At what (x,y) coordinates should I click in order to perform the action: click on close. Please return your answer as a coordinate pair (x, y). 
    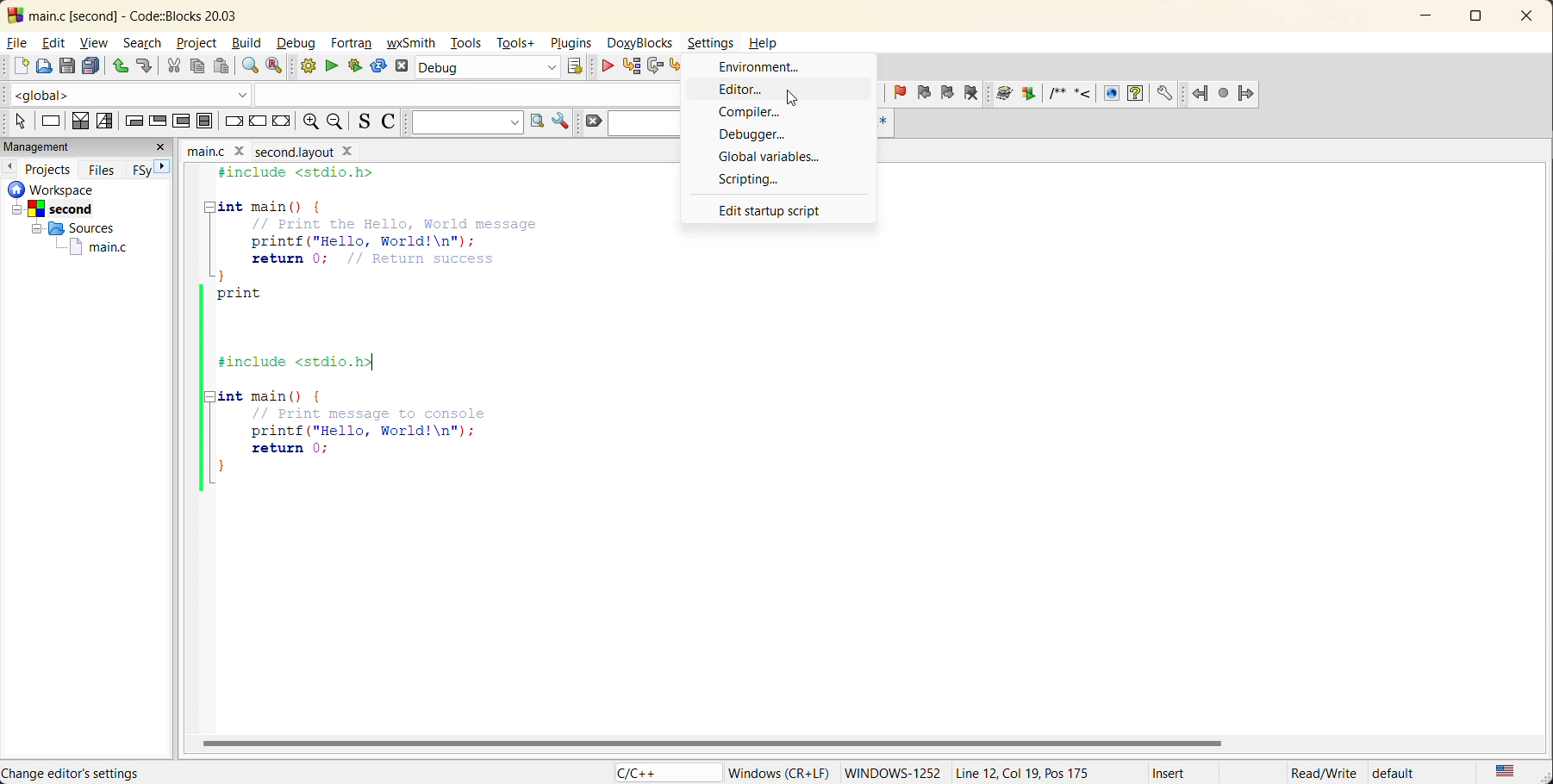
    Looking at the image, I should click on (1529, 17).